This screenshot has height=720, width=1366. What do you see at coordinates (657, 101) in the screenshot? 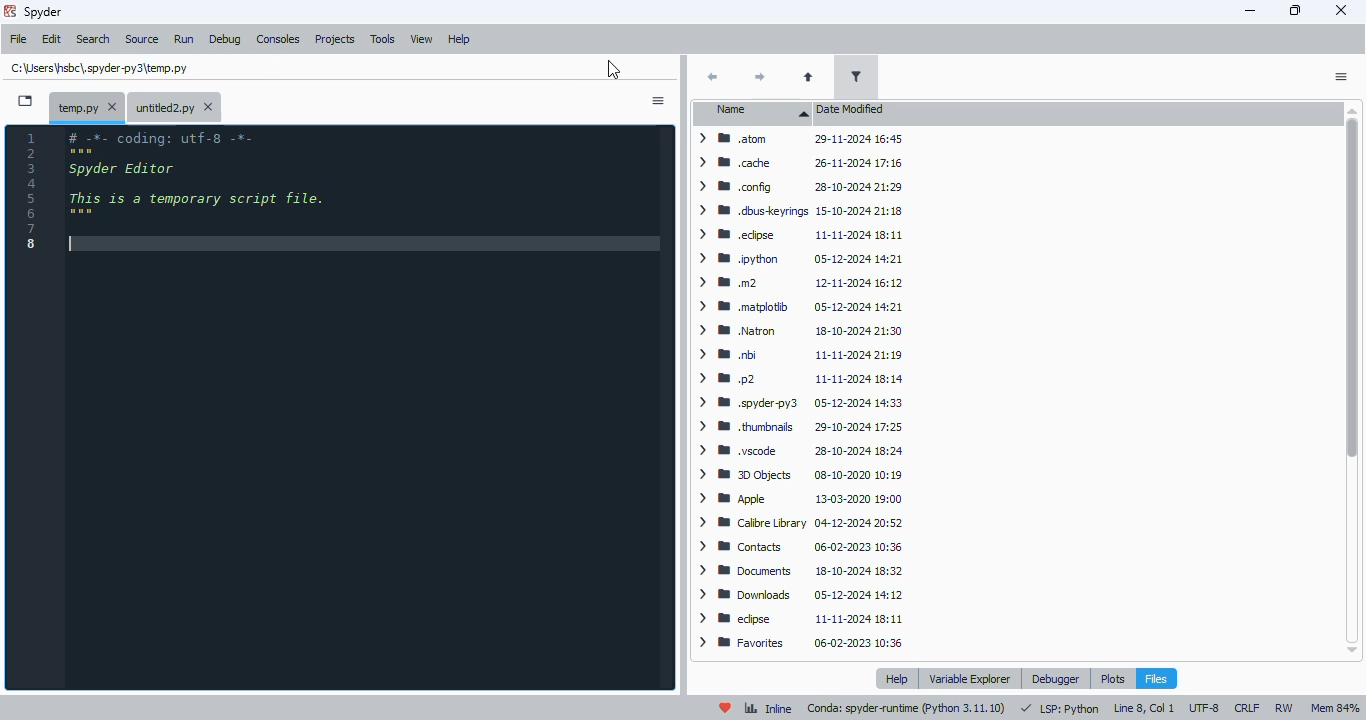
I see `options` at bounding box center [657, 101].